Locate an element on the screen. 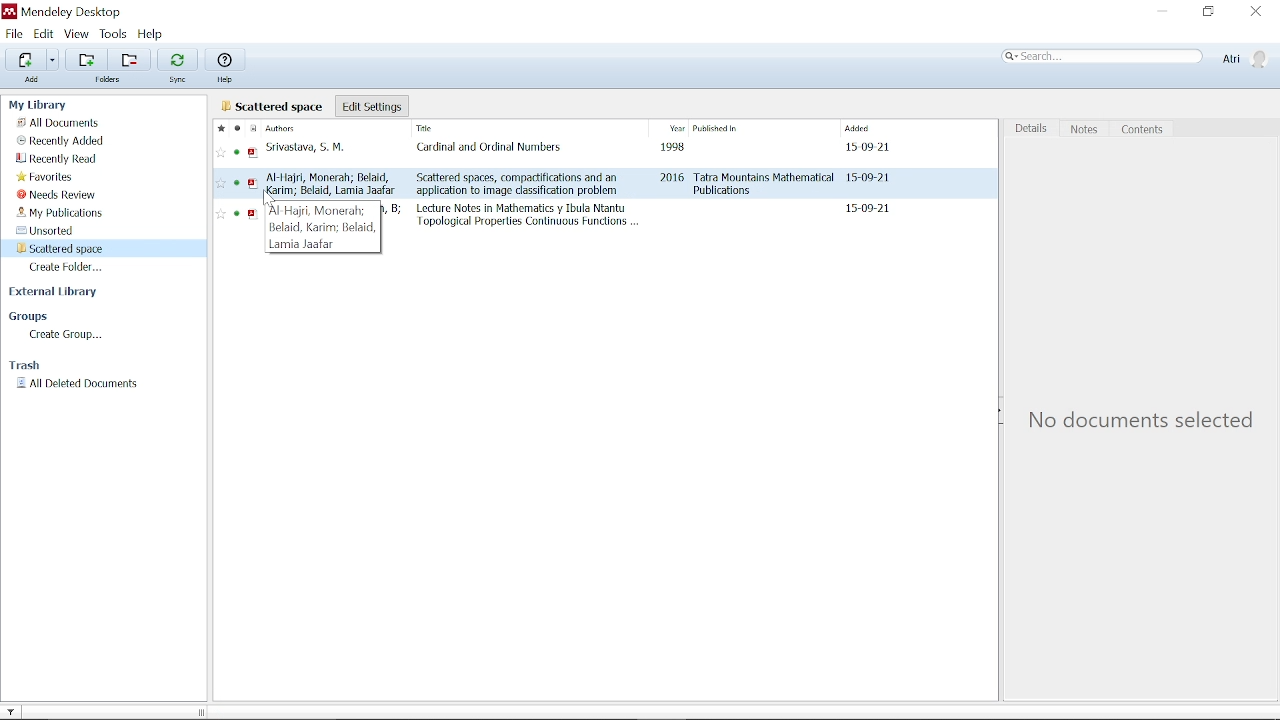  Title is located at coordinates (464, 130).